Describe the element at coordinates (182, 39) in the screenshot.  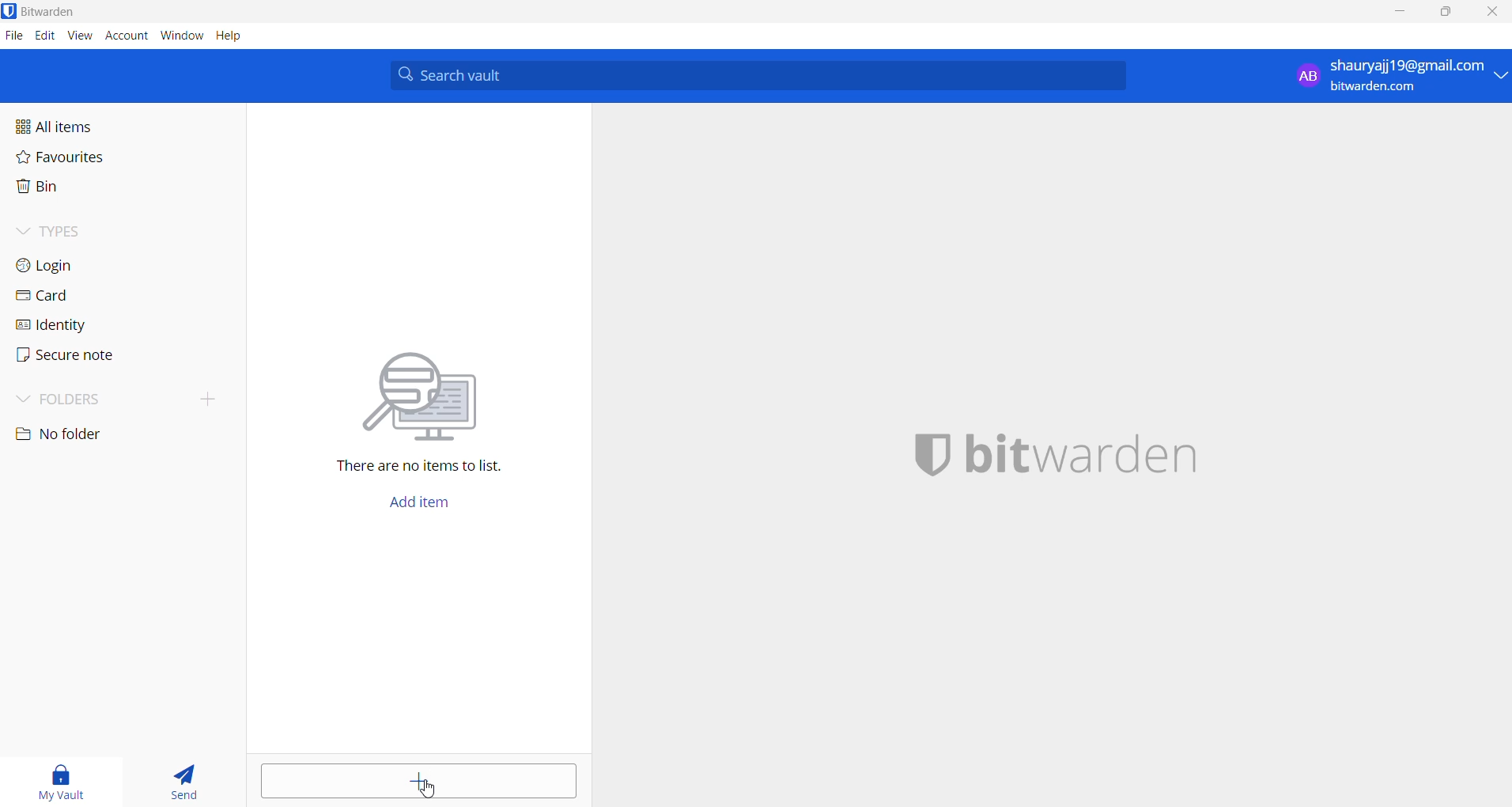
I see `Window` at that location.